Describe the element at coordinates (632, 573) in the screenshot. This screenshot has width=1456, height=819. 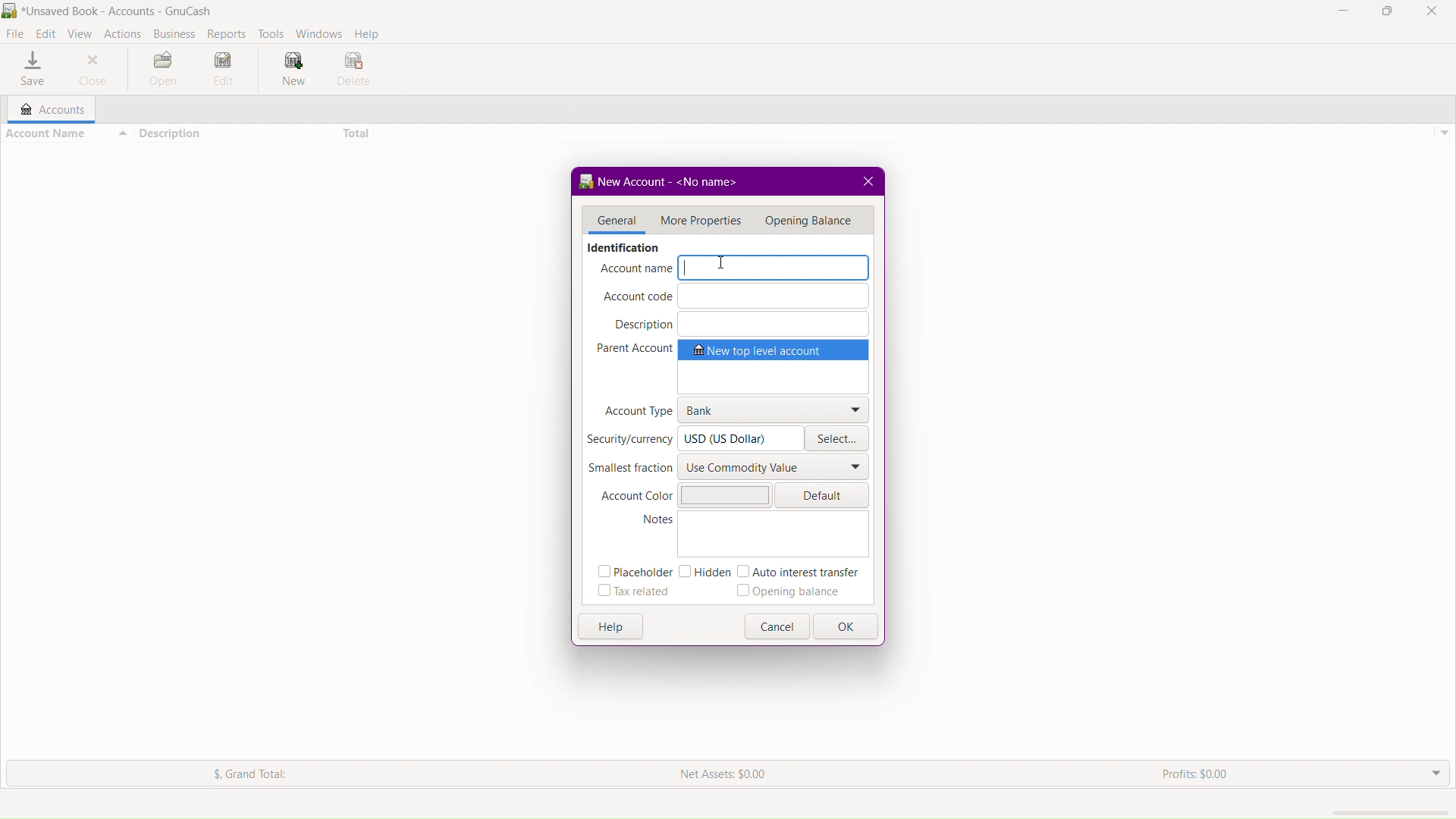
I see `Placeholder` at that location.